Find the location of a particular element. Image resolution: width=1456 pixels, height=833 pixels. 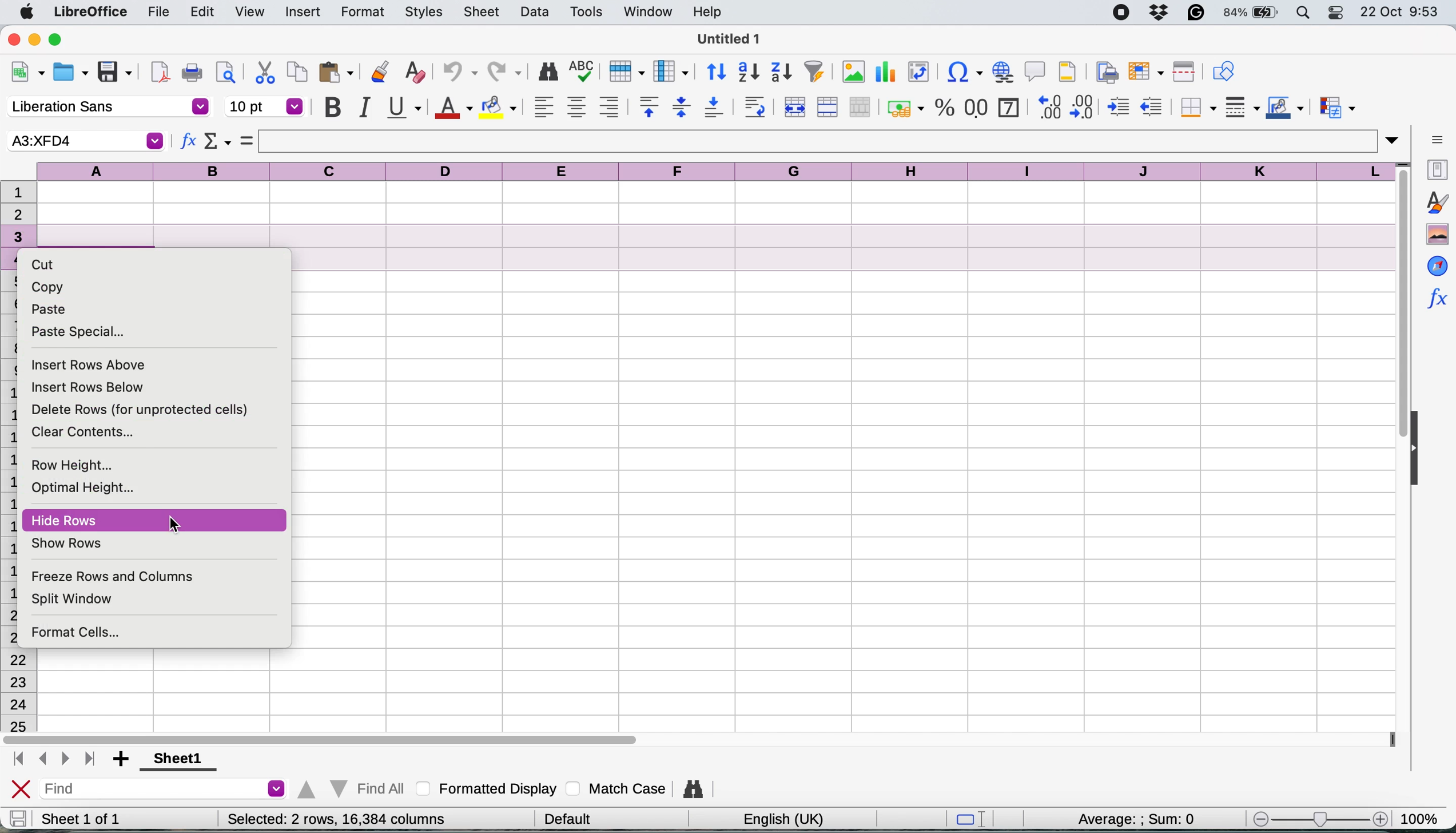

split window is located at coordinates (1181, 72).